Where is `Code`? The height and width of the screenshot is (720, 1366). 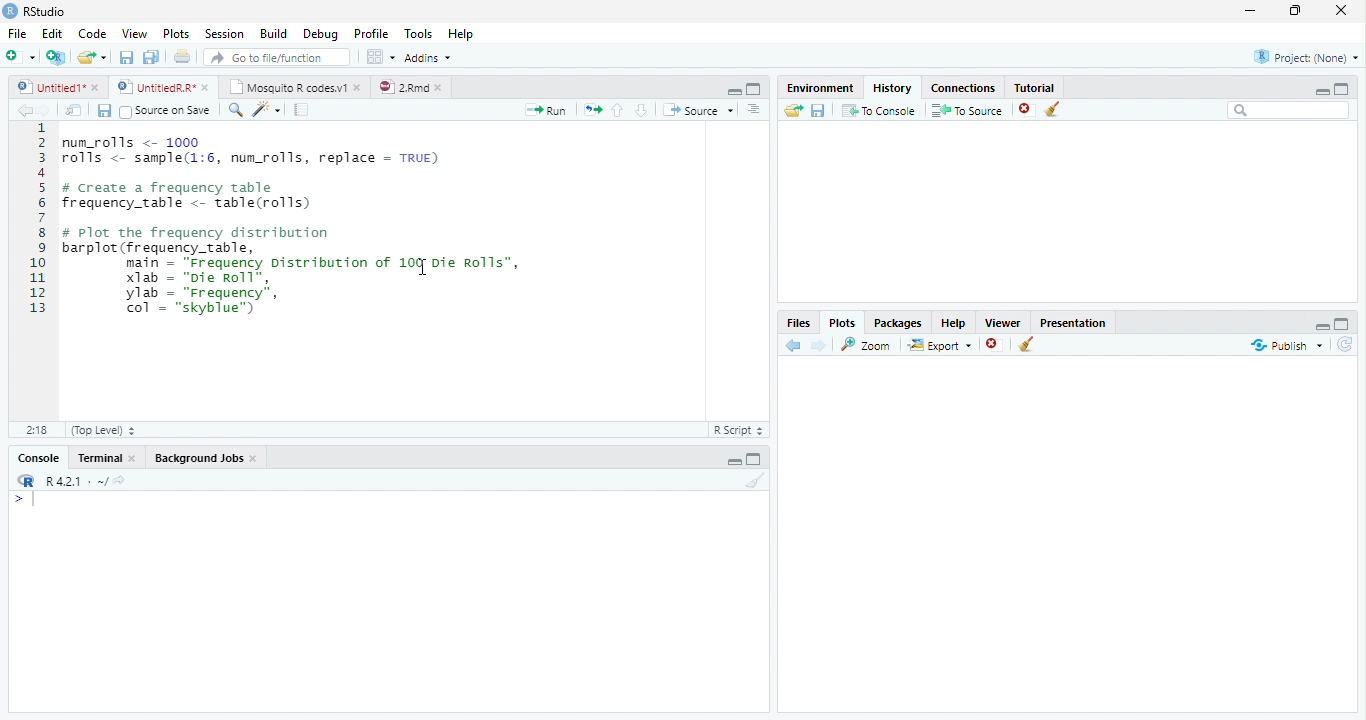 Code is located at coordinates (94, 31).